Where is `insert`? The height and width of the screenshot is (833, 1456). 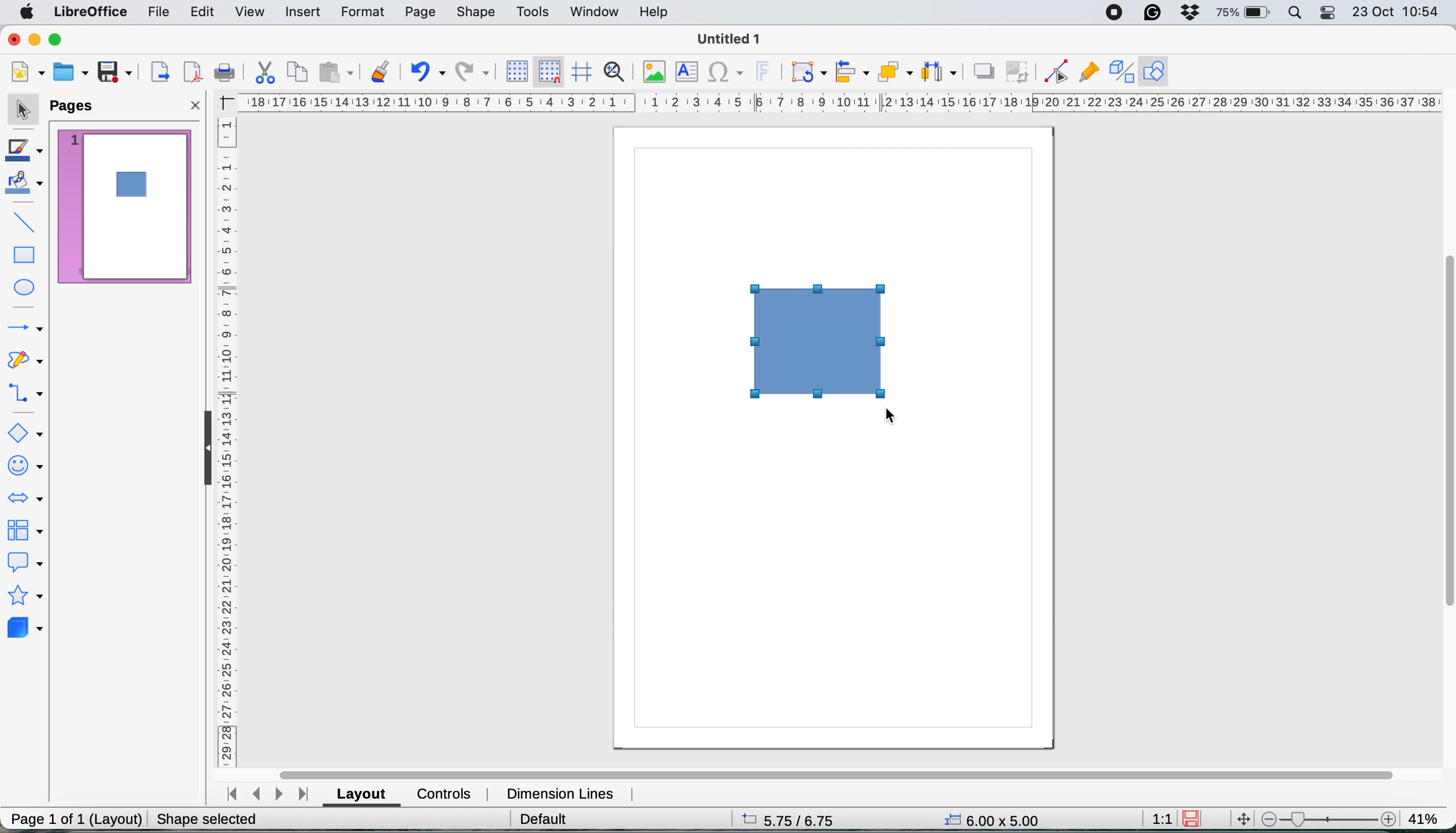 insert is located at coordinates (303, 12).